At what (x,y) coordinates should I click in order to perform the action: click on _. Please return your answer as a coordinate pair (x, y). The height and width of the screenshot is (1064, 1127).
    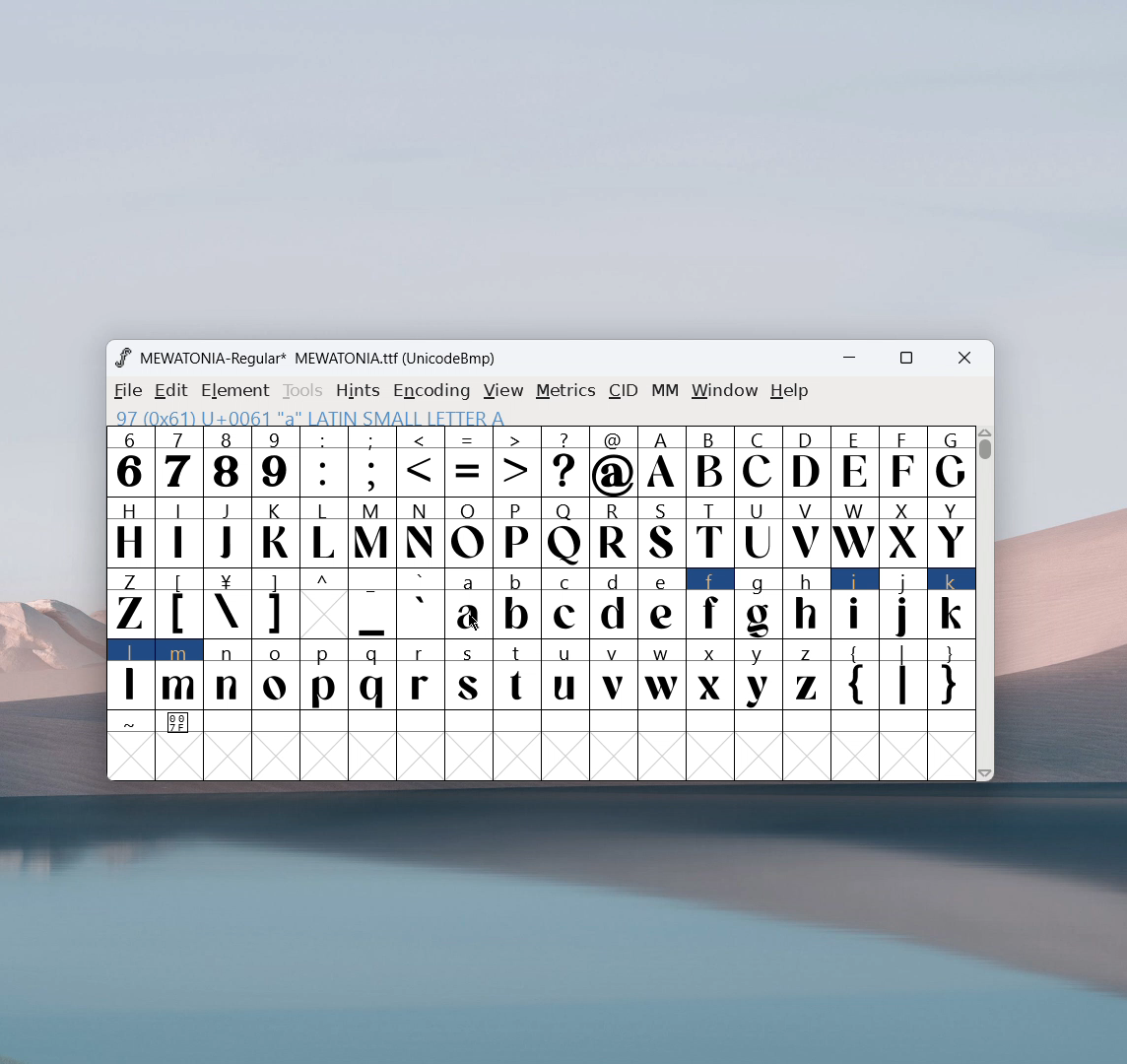
    Looking at the image, I should click on (372, 604).